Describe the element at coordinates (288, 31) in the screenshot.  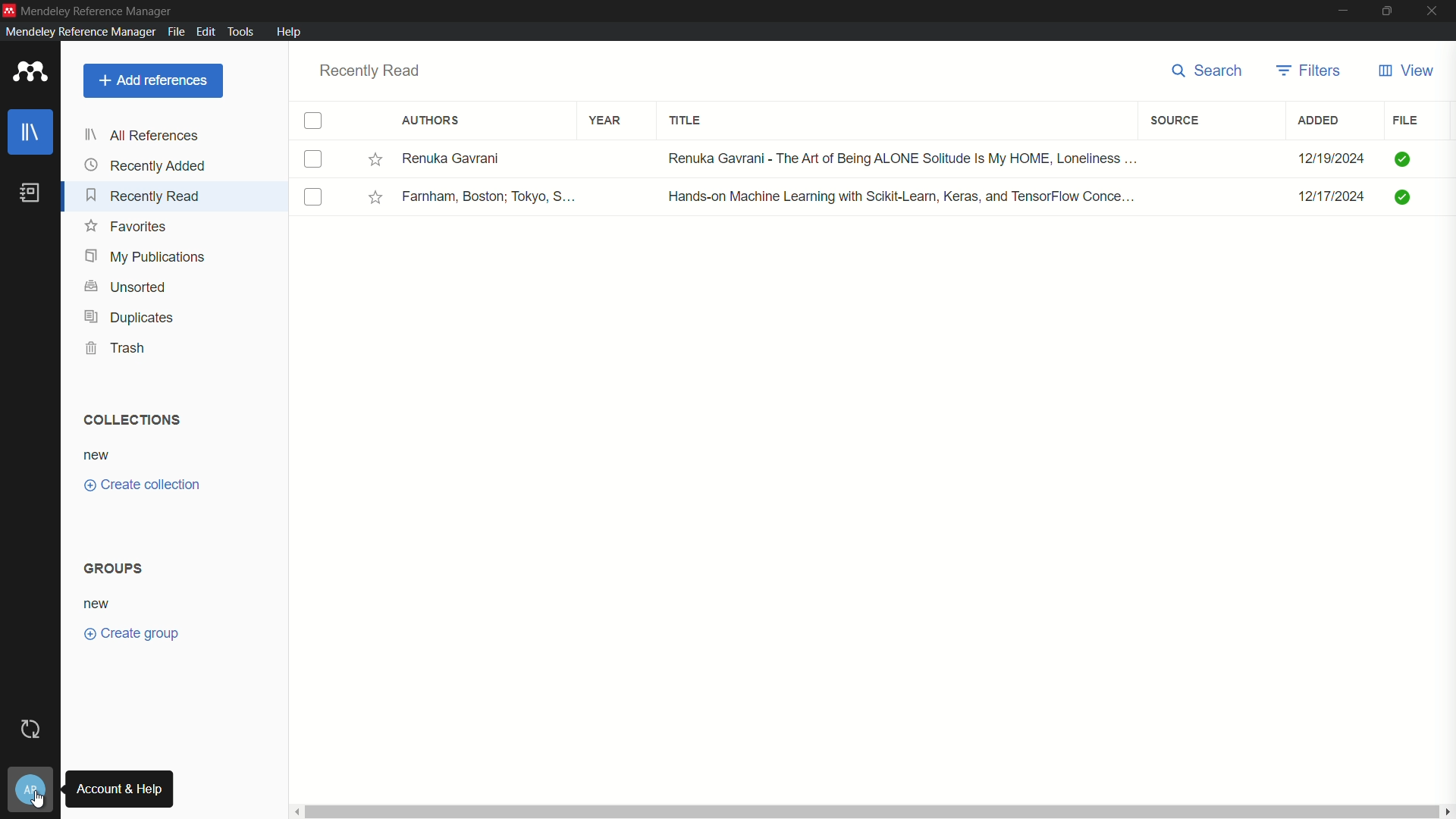
I see `help menu` at that location.